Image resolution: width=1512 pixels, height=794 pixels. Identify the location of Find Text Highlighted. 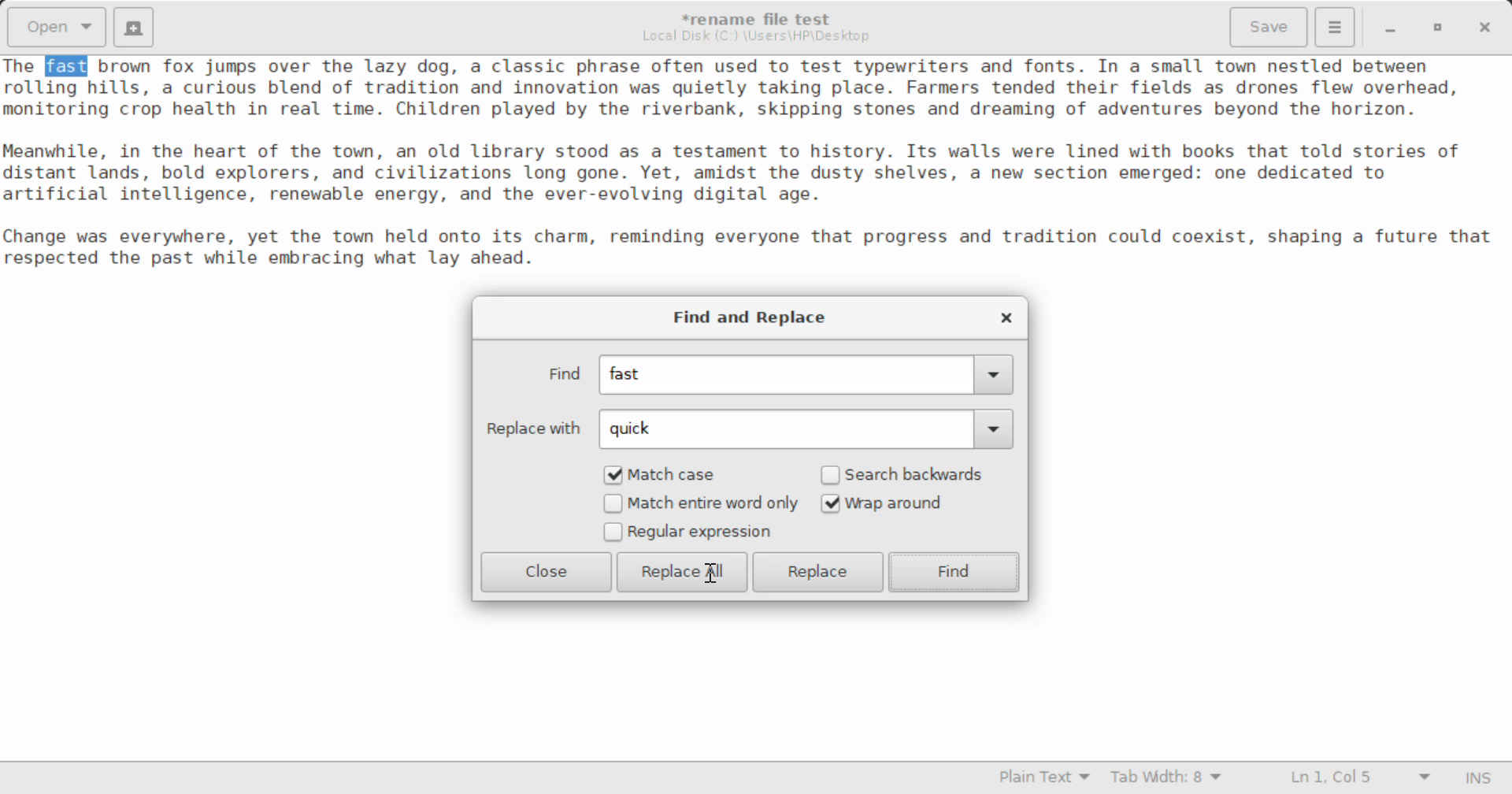
(68, 67).